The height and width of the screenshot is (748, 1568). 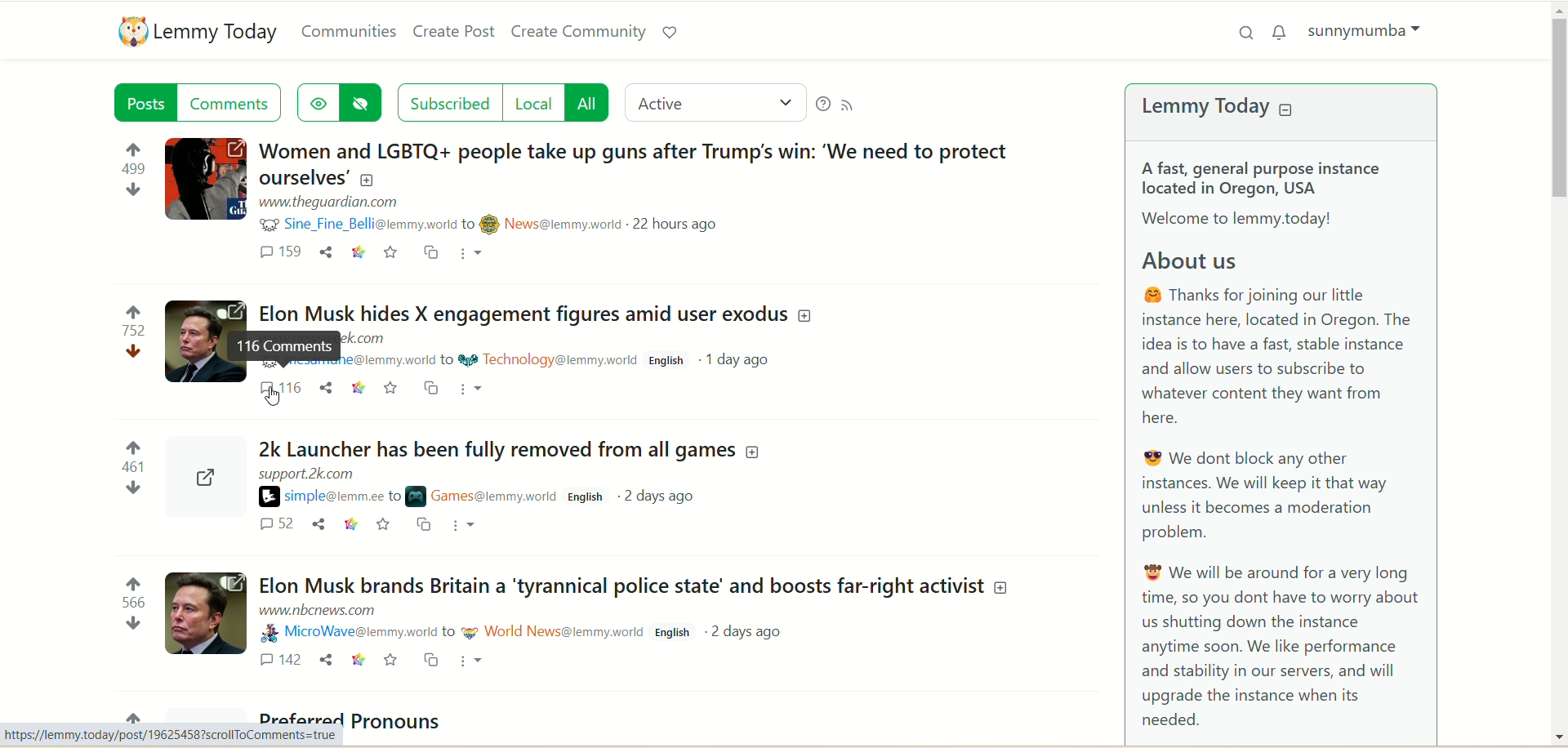 What do you see at coordinates (367, 180) in the screenshot?
I see `Add ` at bounding box center [367, 180].